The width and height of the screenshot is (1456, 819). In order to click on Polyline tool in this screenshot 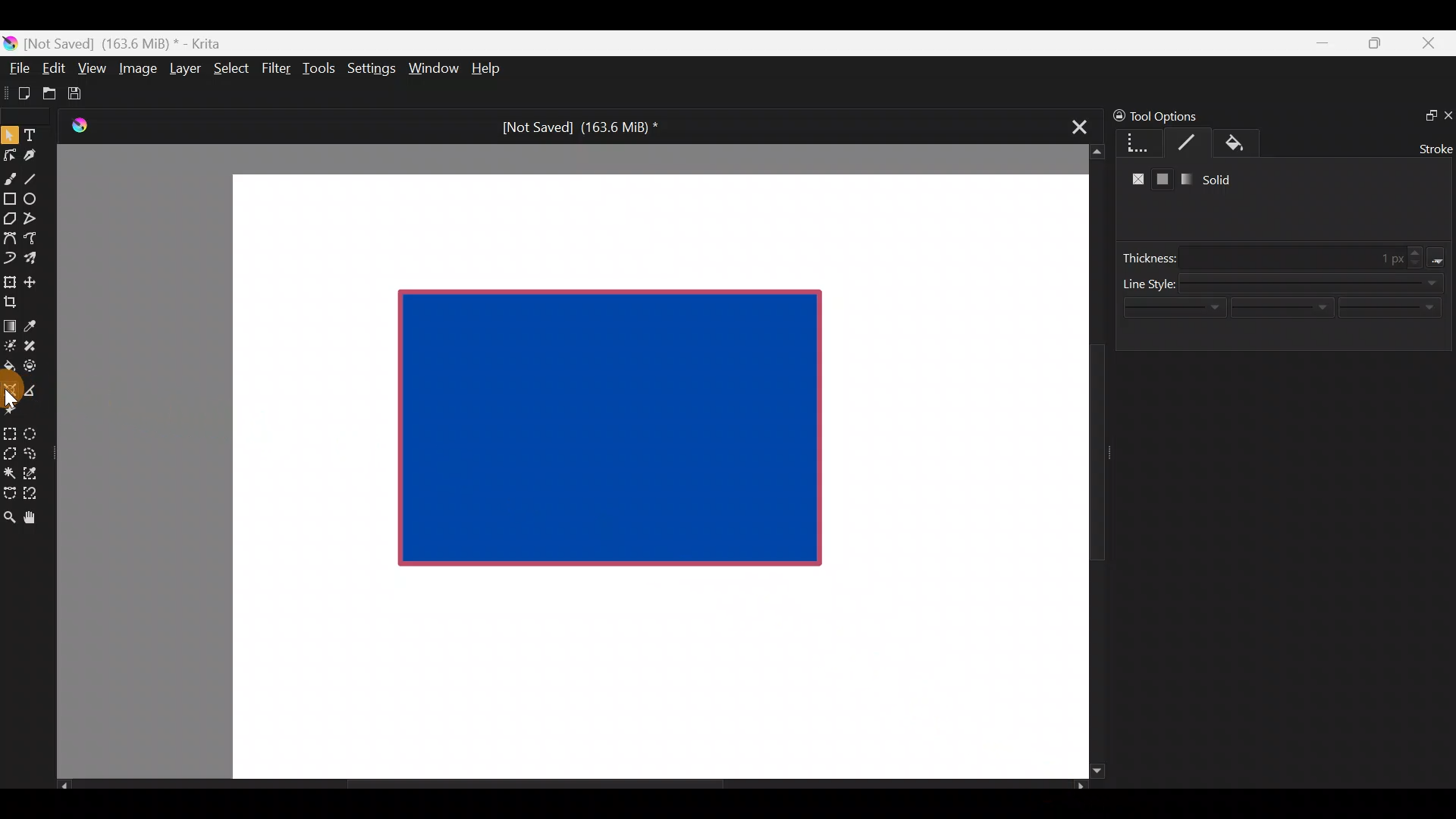, I will do `click(36, 219)`.